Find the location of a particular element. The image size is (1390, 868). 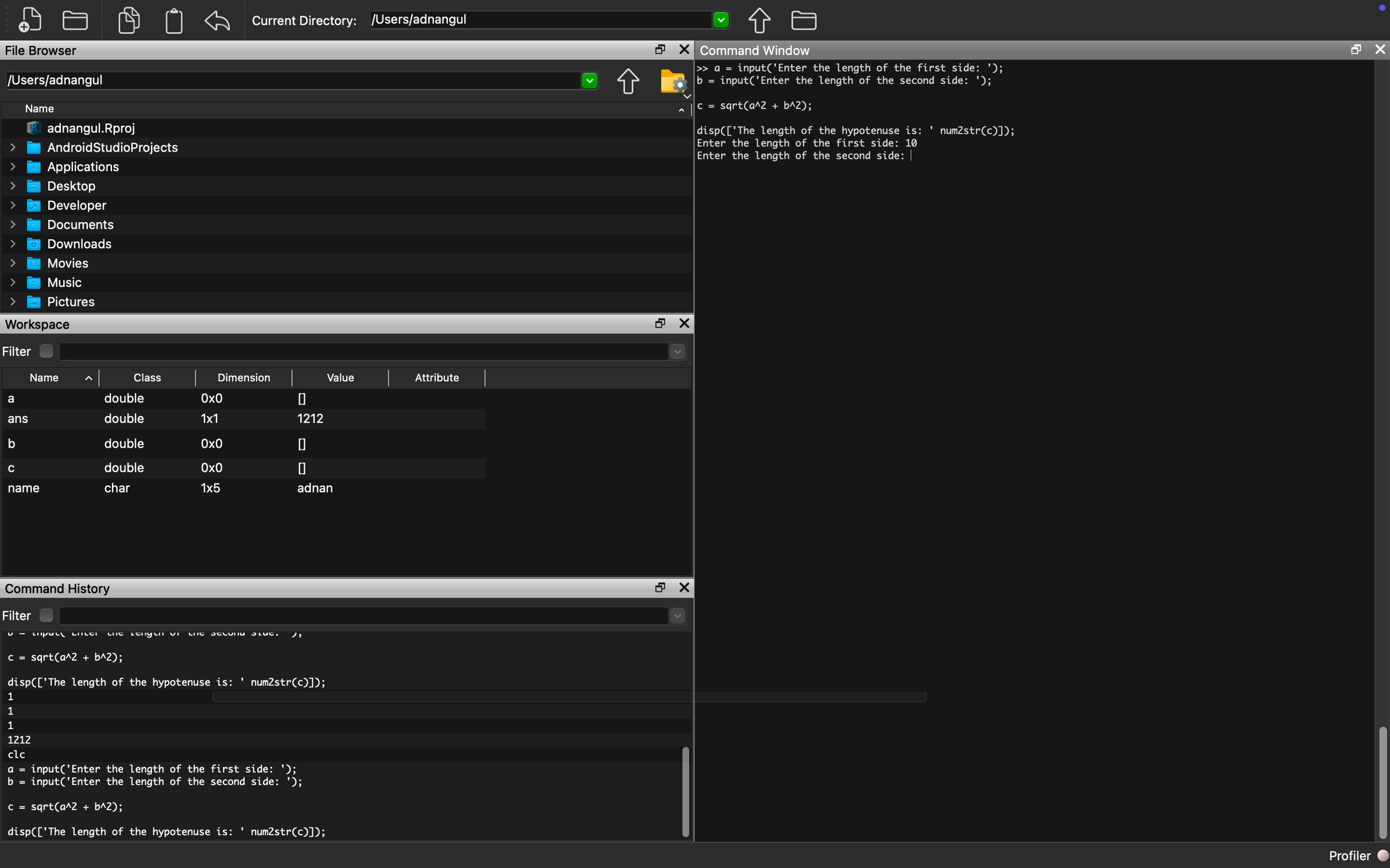

restore down is located at coordinates (655, 51).